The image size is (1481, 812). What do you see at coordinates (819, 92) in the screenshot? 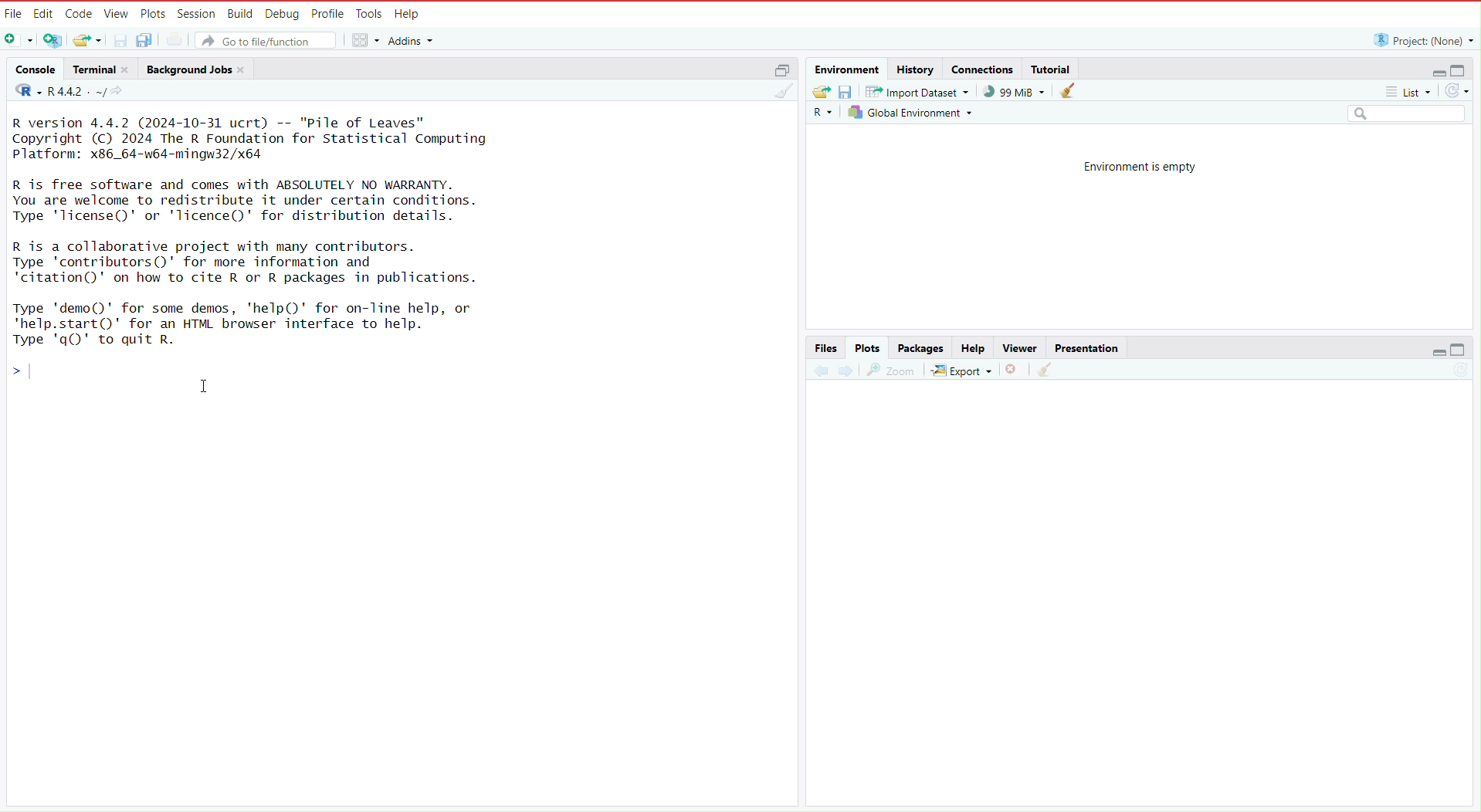
I see `load workspace` at bounding box center [819, 92].